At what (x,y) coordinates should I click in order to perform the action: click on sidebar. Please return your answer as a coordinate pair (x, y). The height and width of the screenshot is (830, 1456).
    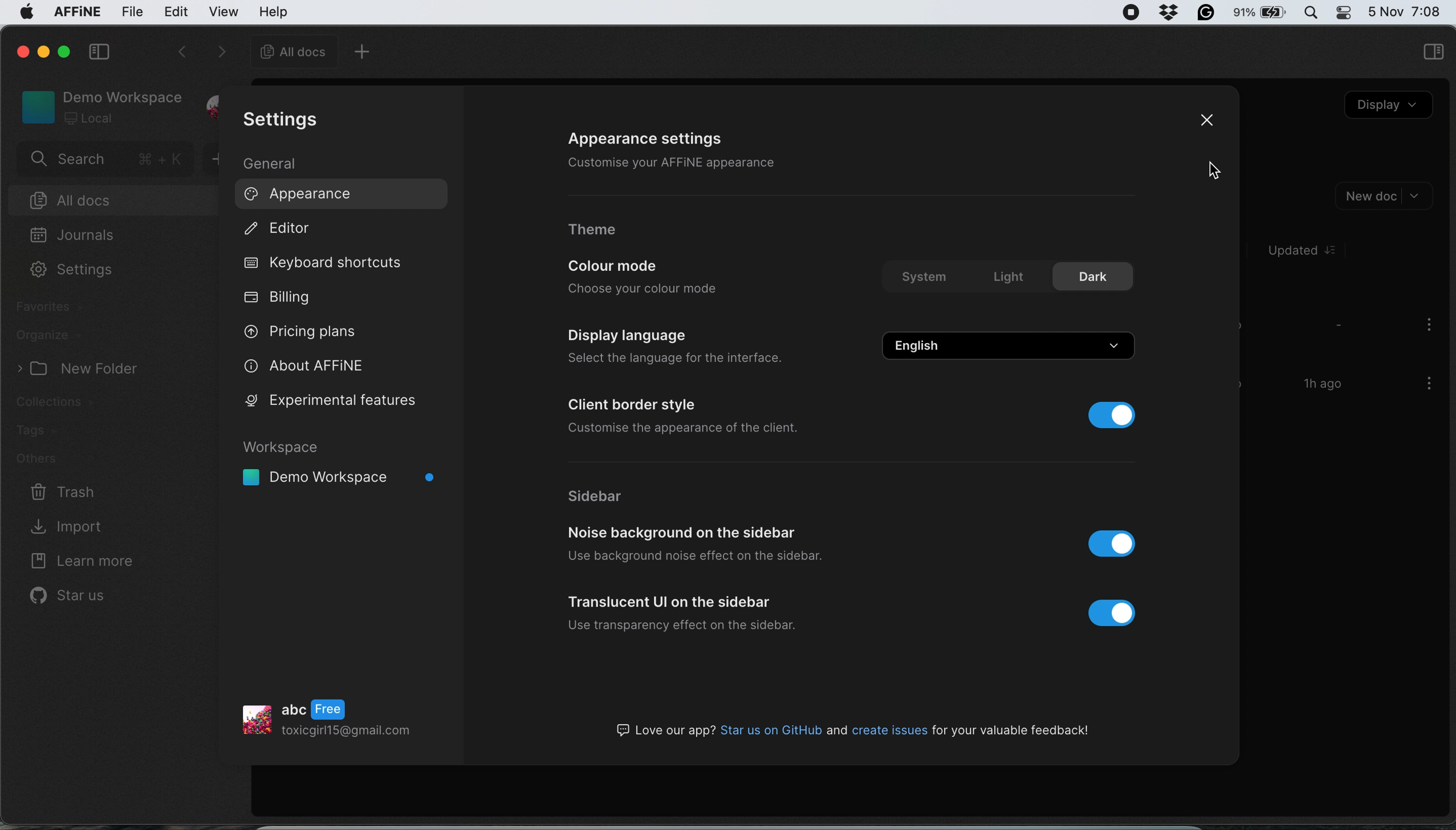
    Looking at the image, I should click on (1431, 50).